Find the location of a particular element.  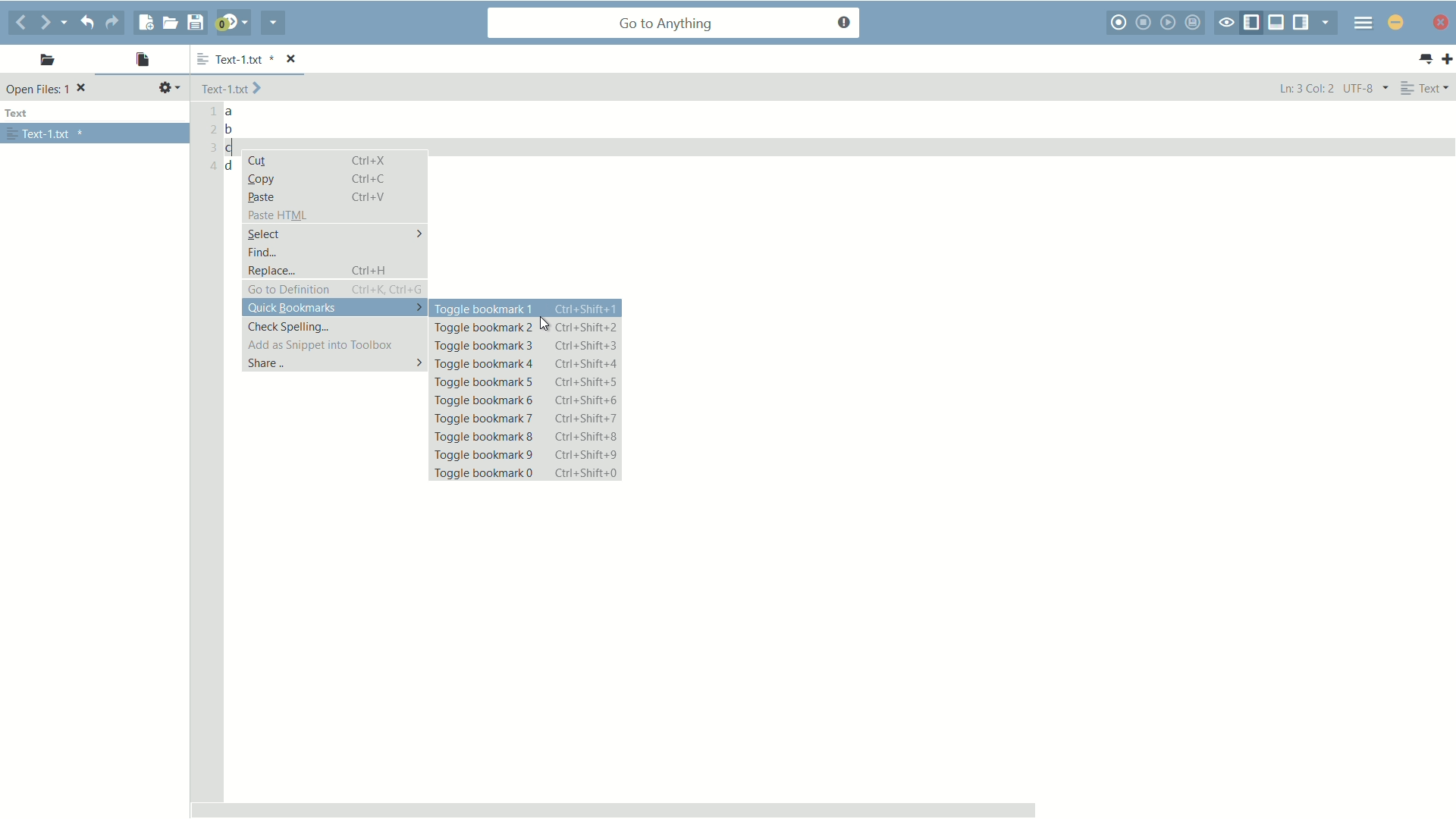

toggle bookmark 0 is located at coordinates (527, 474).